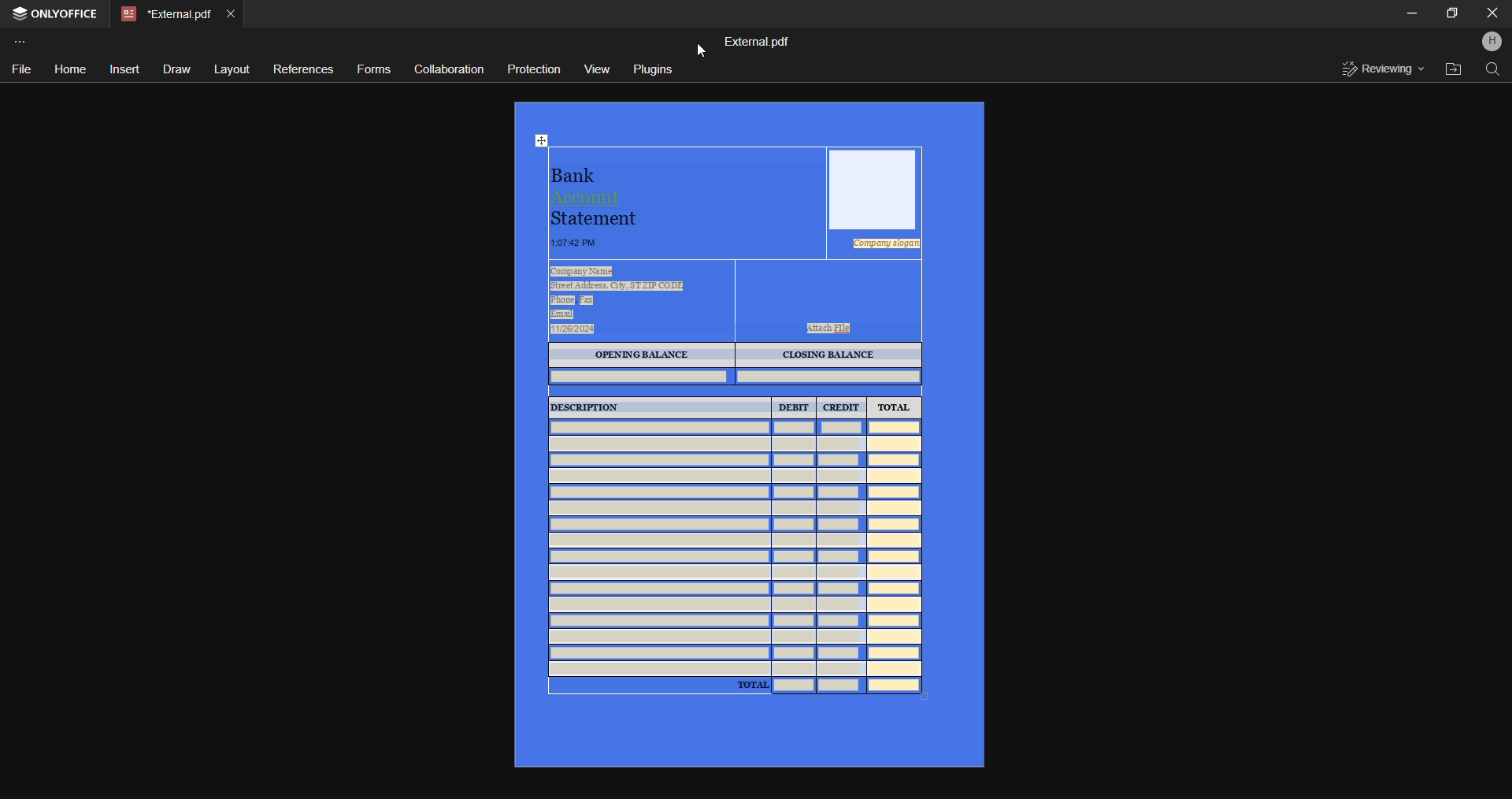 This screenshot has width=1512, height=799. What do you see at coordinates (25, 69) in the screenshot?
I see `File` at bounding box center [25, 69].